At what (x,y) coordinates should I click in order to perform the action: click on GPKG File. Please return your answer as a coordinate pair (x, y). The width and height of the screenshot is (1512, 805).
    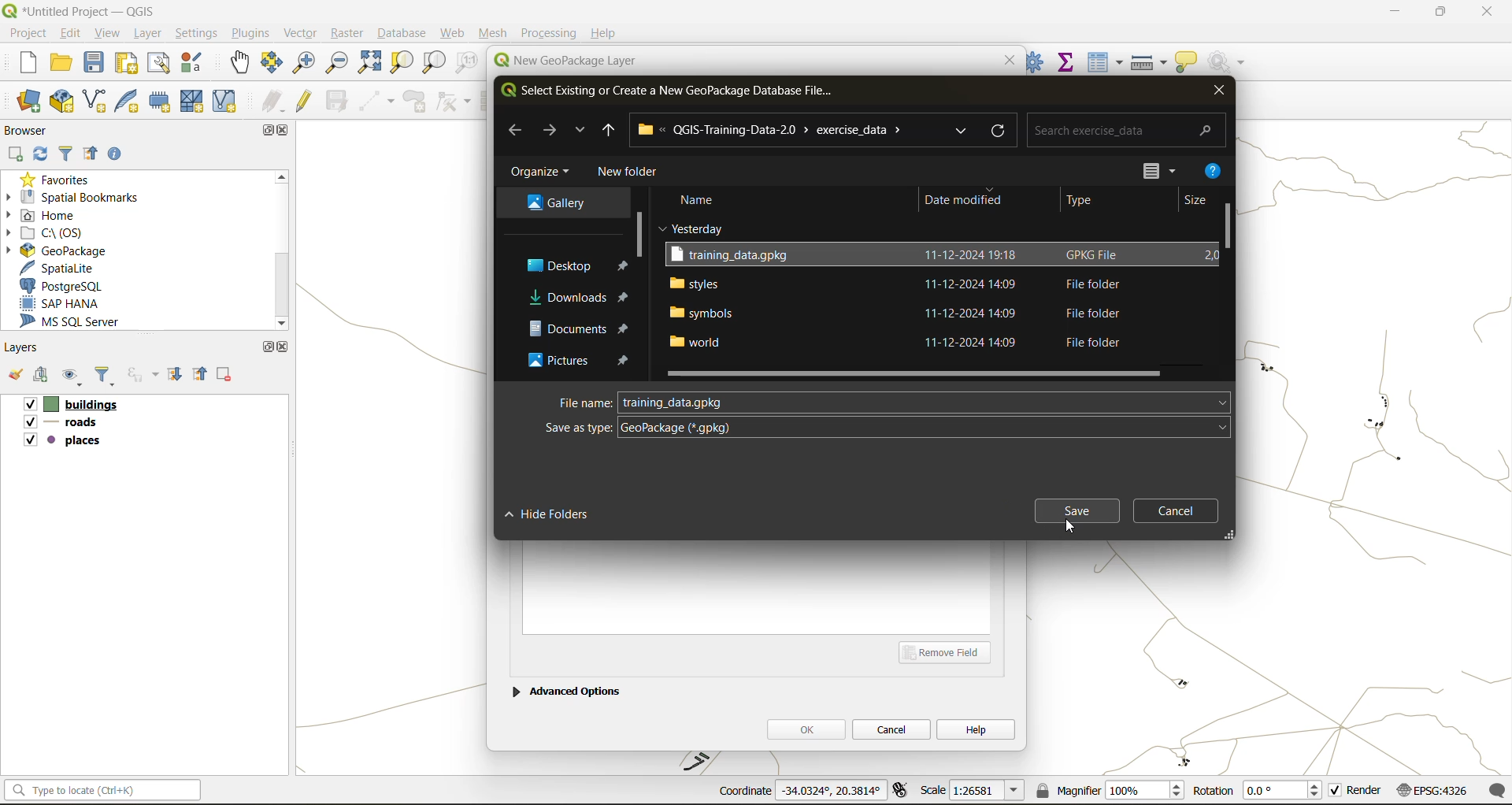
    Looking at the image, I should click on (1095, 254).